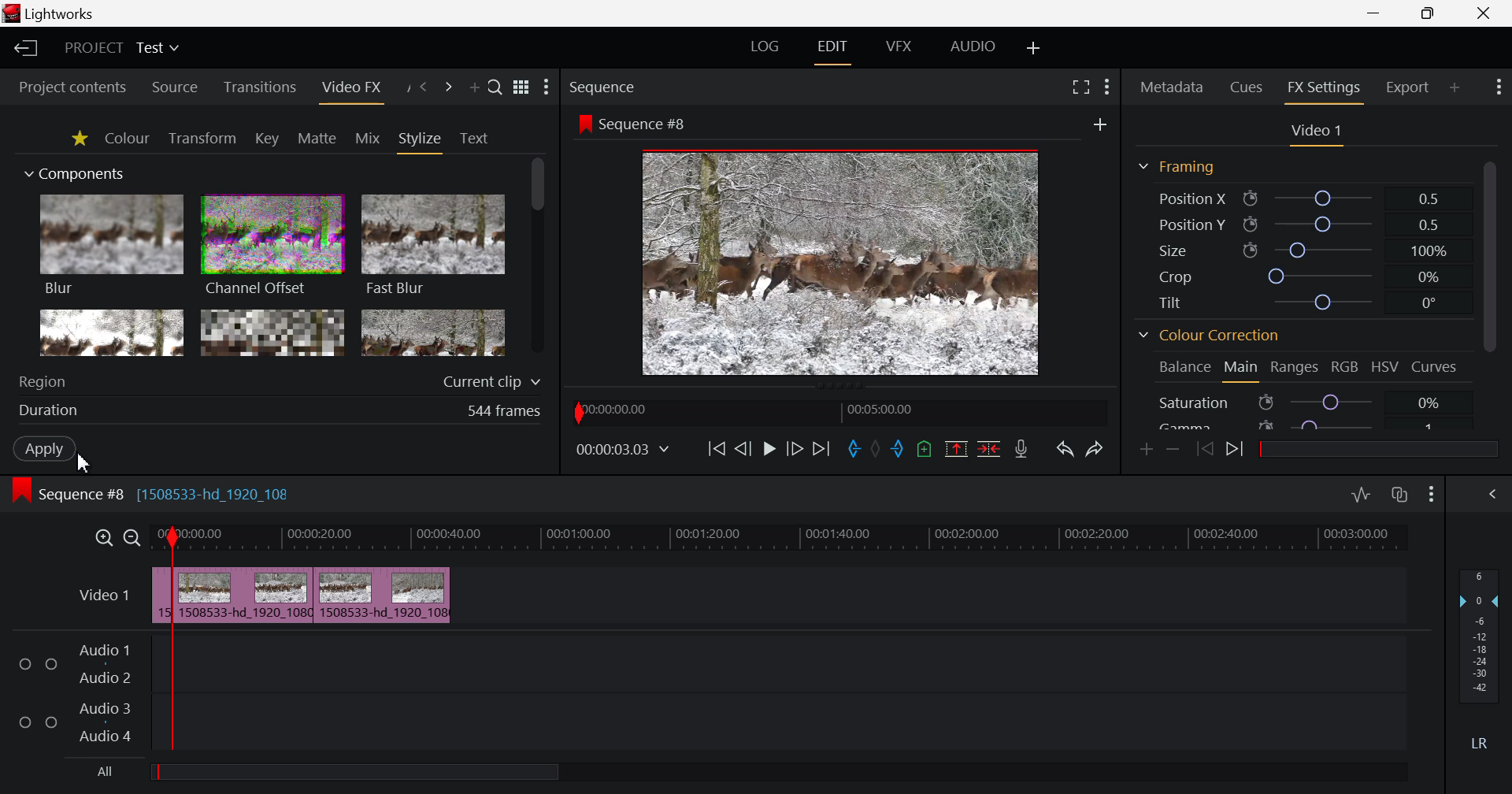 This screenshot has width=1512, height=794. What do you see at coordinates (52, 13) in the screenshot?
I see `Lightworks` at bounding box center [52, 13].